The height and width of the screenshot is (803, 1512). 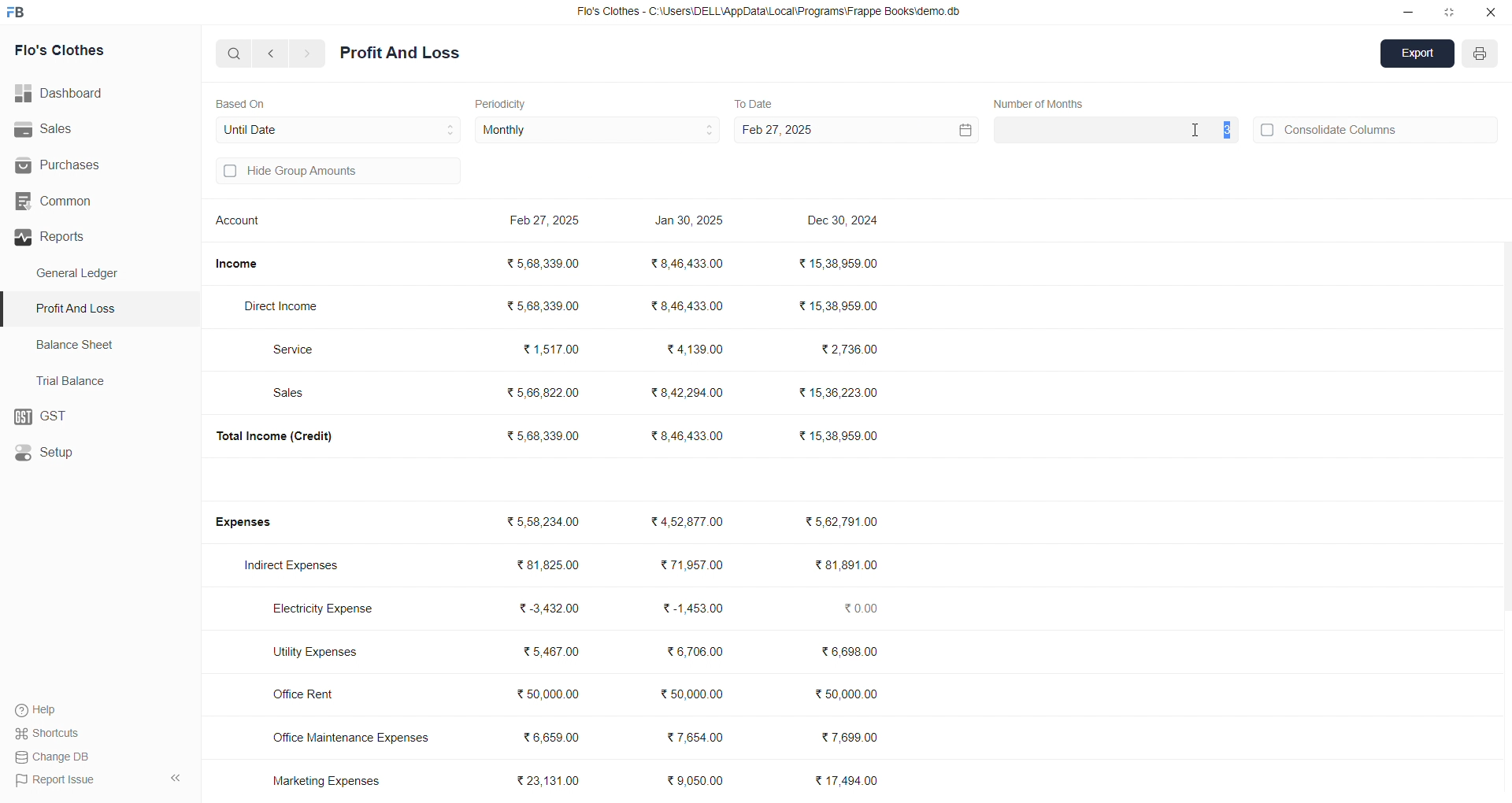 I want to click on Profit And Loss, so click(x=400, y=54).